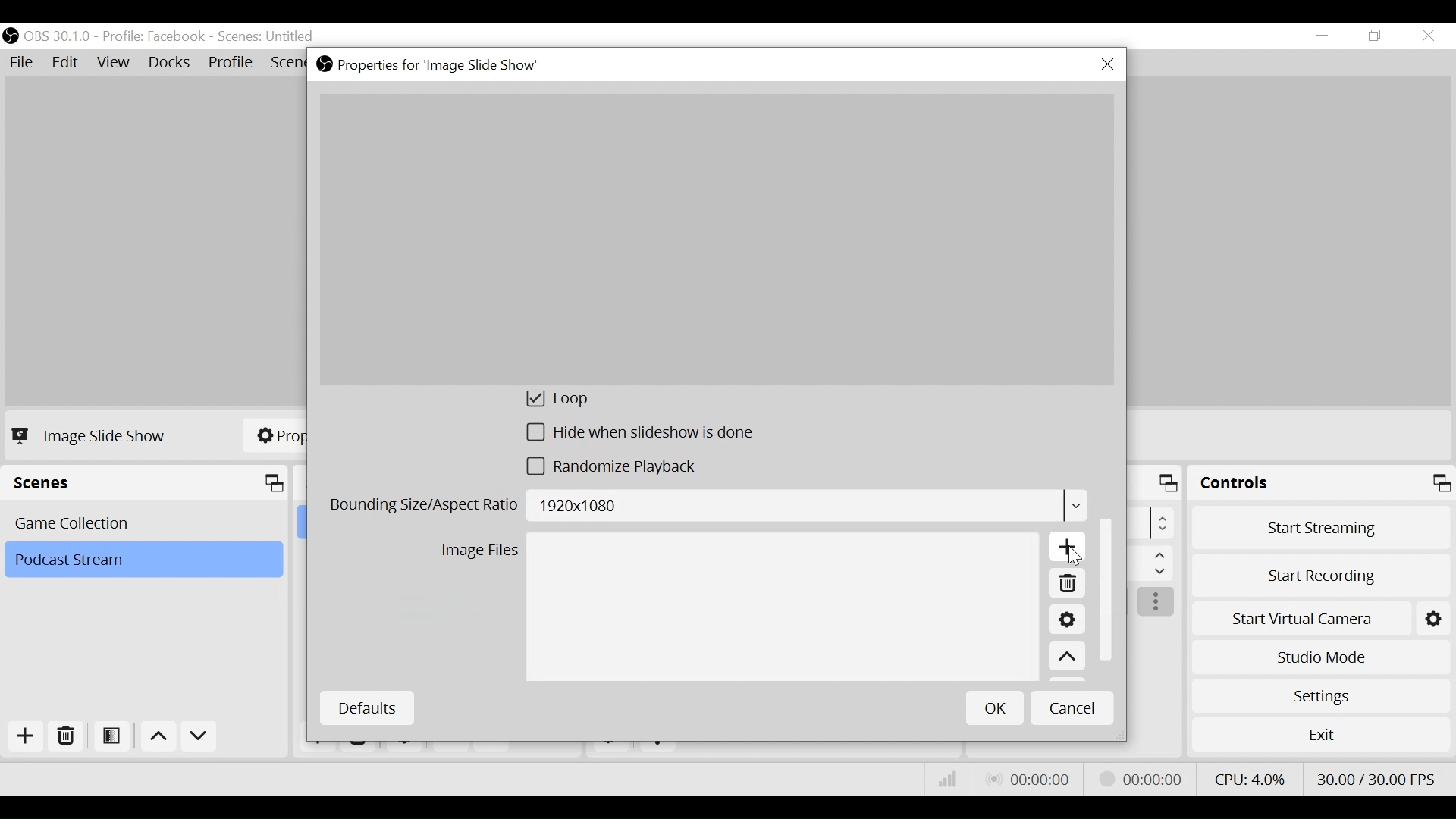  Describe the element at coordinates (1376, 36) in the screenshot. I see `Restore` at that location.